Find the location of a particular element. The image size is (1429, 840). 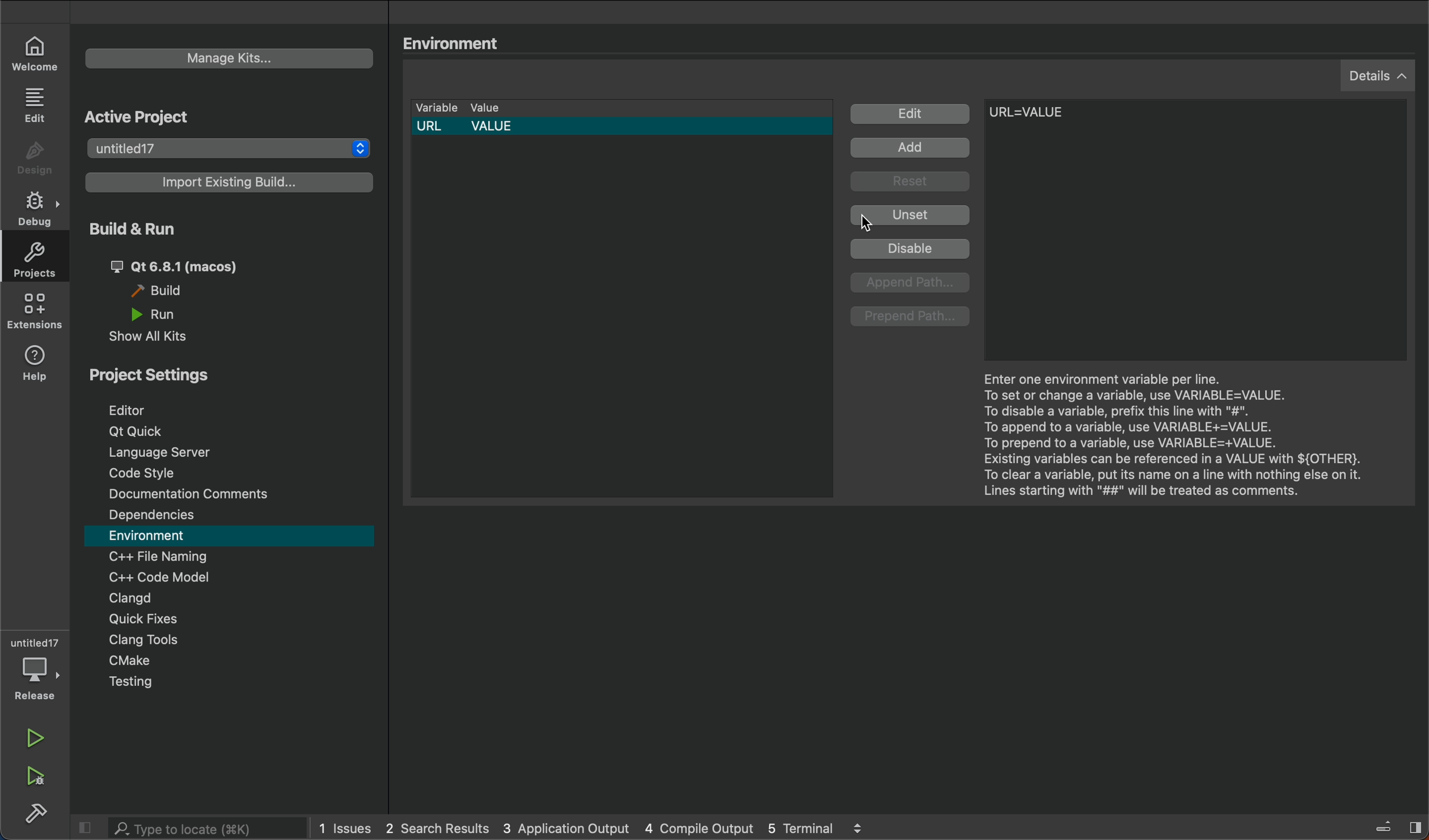

testing is located at coordinates (132, 685).